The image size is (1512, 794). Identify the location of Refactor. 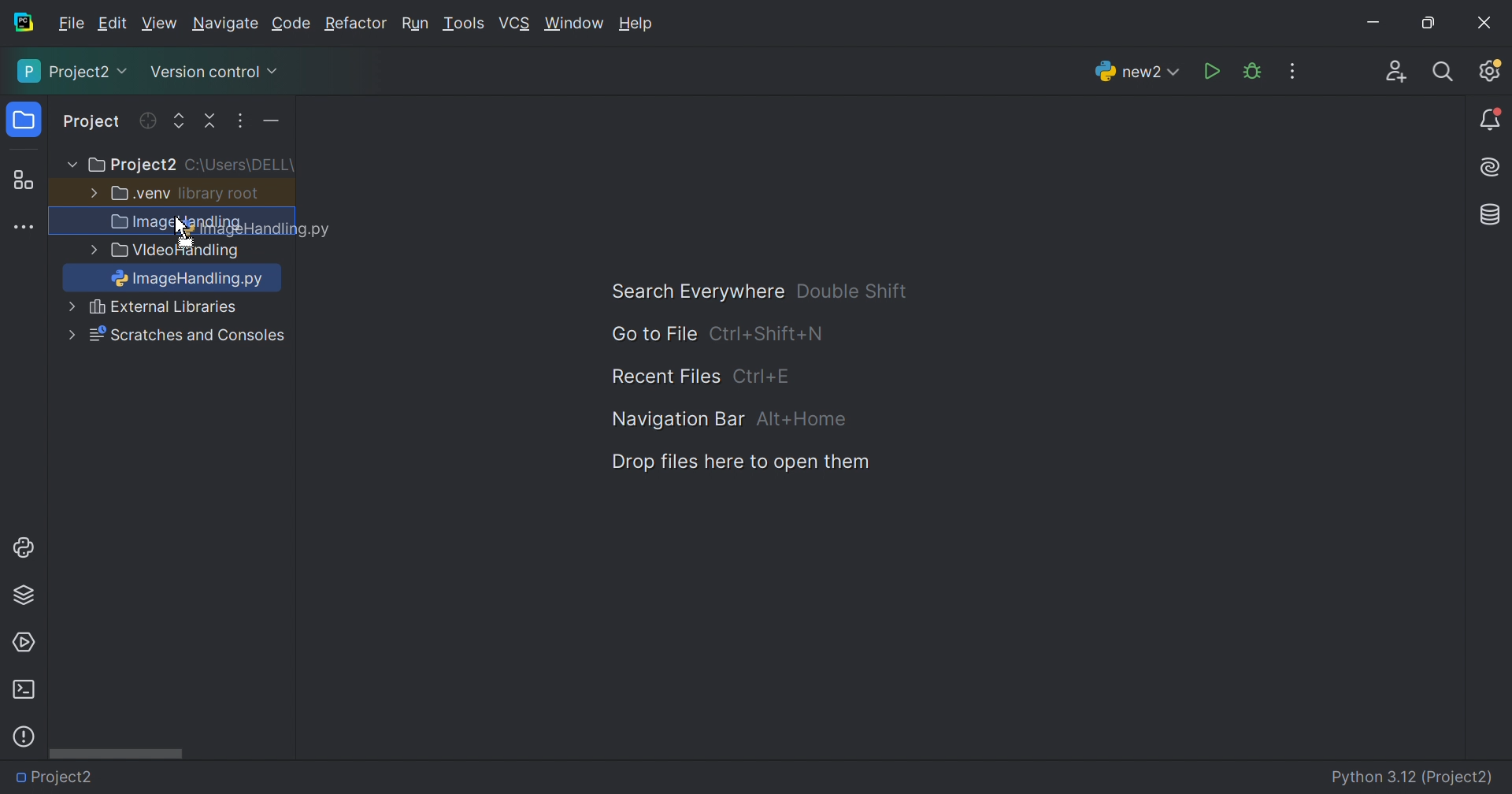
(354, 25).